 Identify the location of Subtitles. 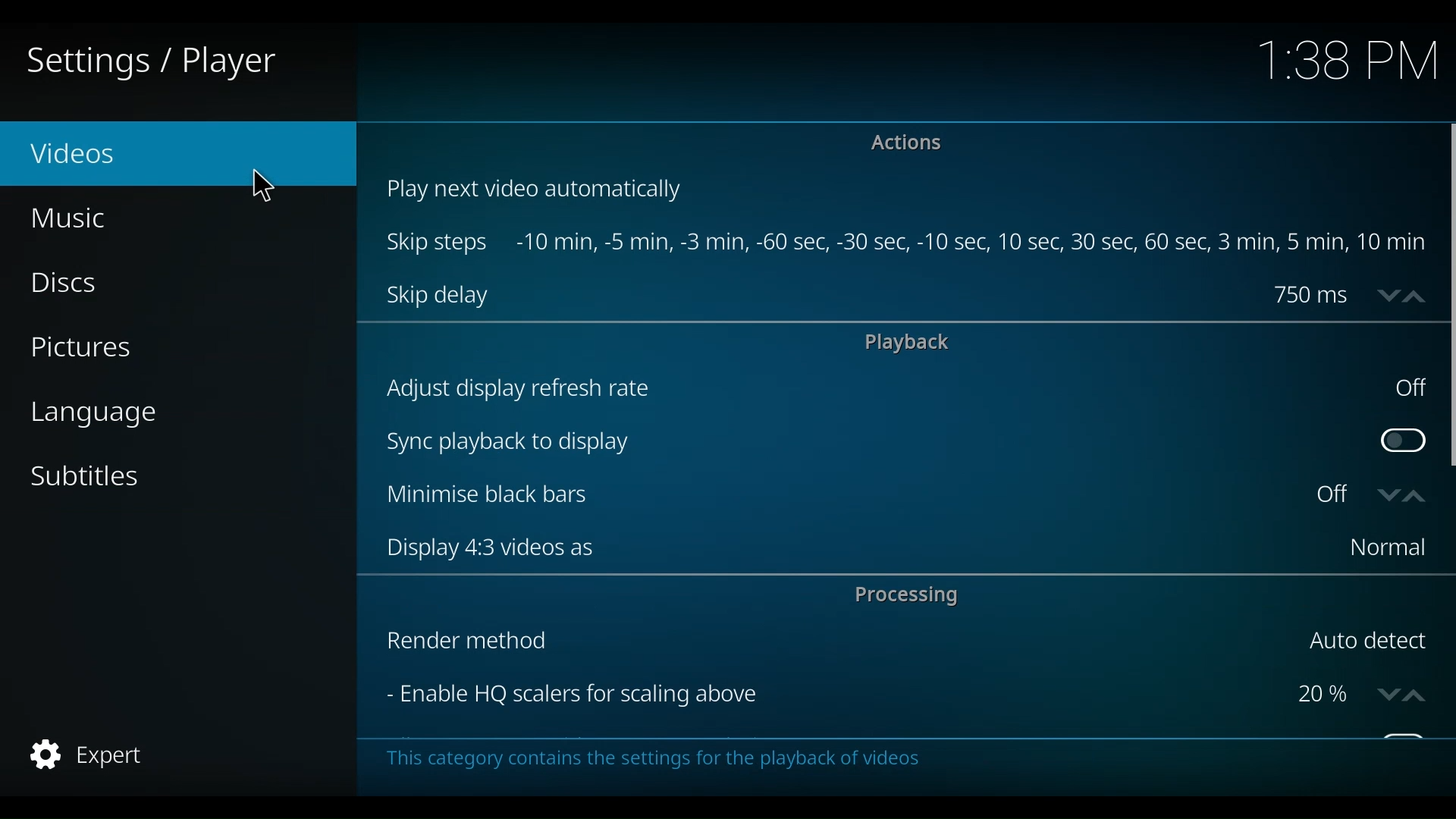
(86, 475).